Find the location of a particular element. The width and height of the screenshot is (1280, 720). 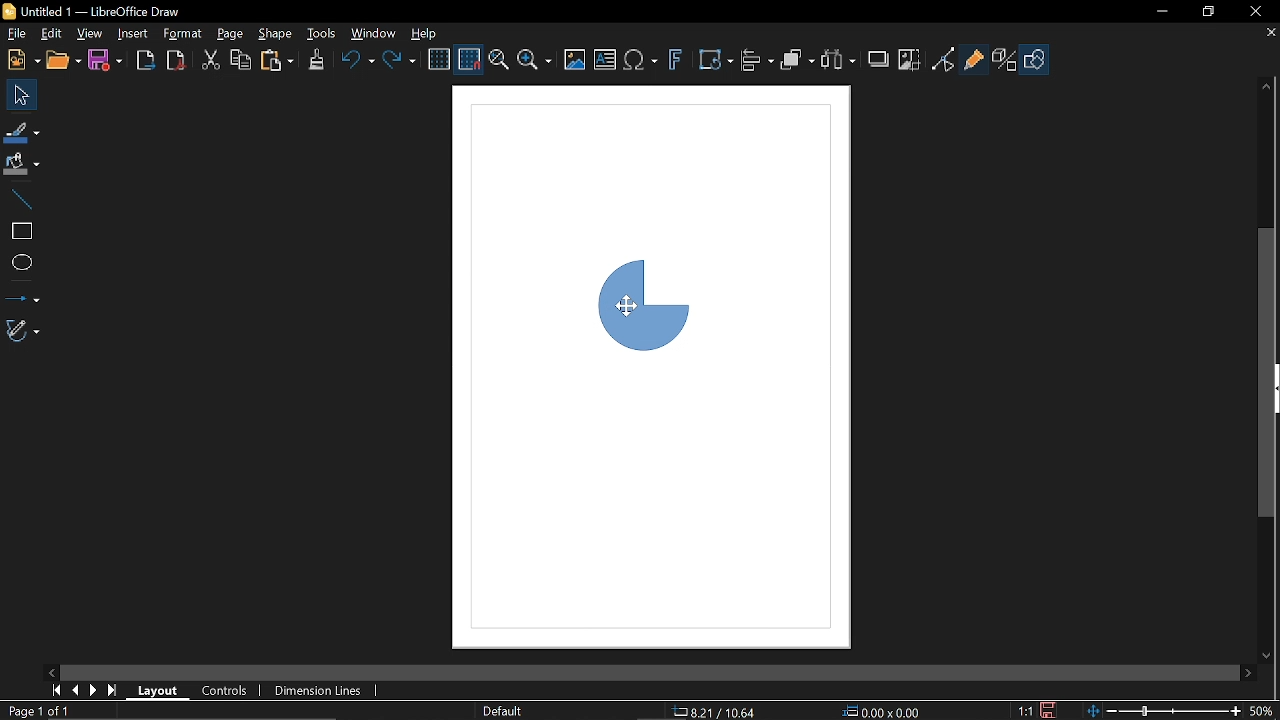

Glue is located at coordinates (974, 57).